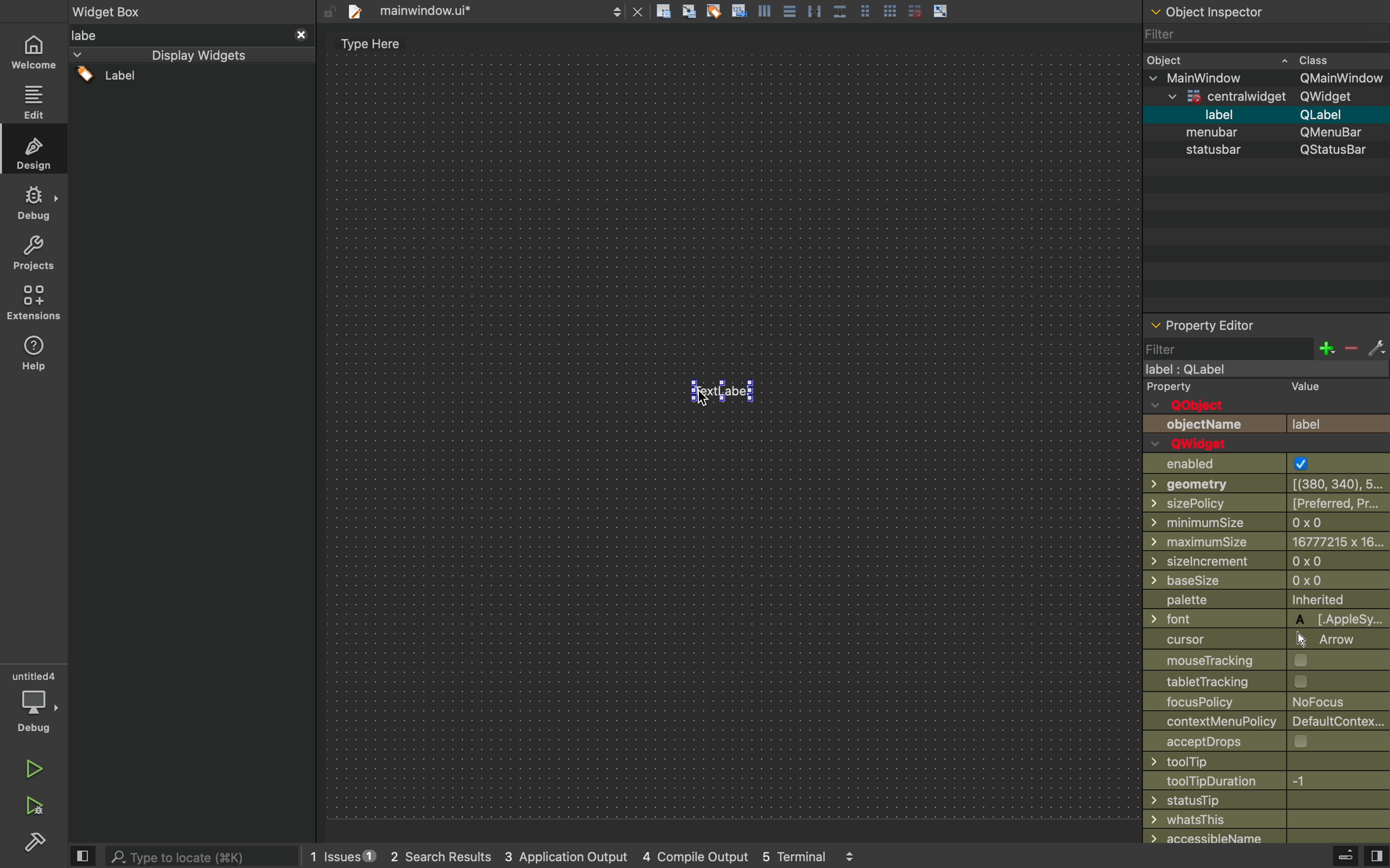  I want to click on icon, so click(766, 10).